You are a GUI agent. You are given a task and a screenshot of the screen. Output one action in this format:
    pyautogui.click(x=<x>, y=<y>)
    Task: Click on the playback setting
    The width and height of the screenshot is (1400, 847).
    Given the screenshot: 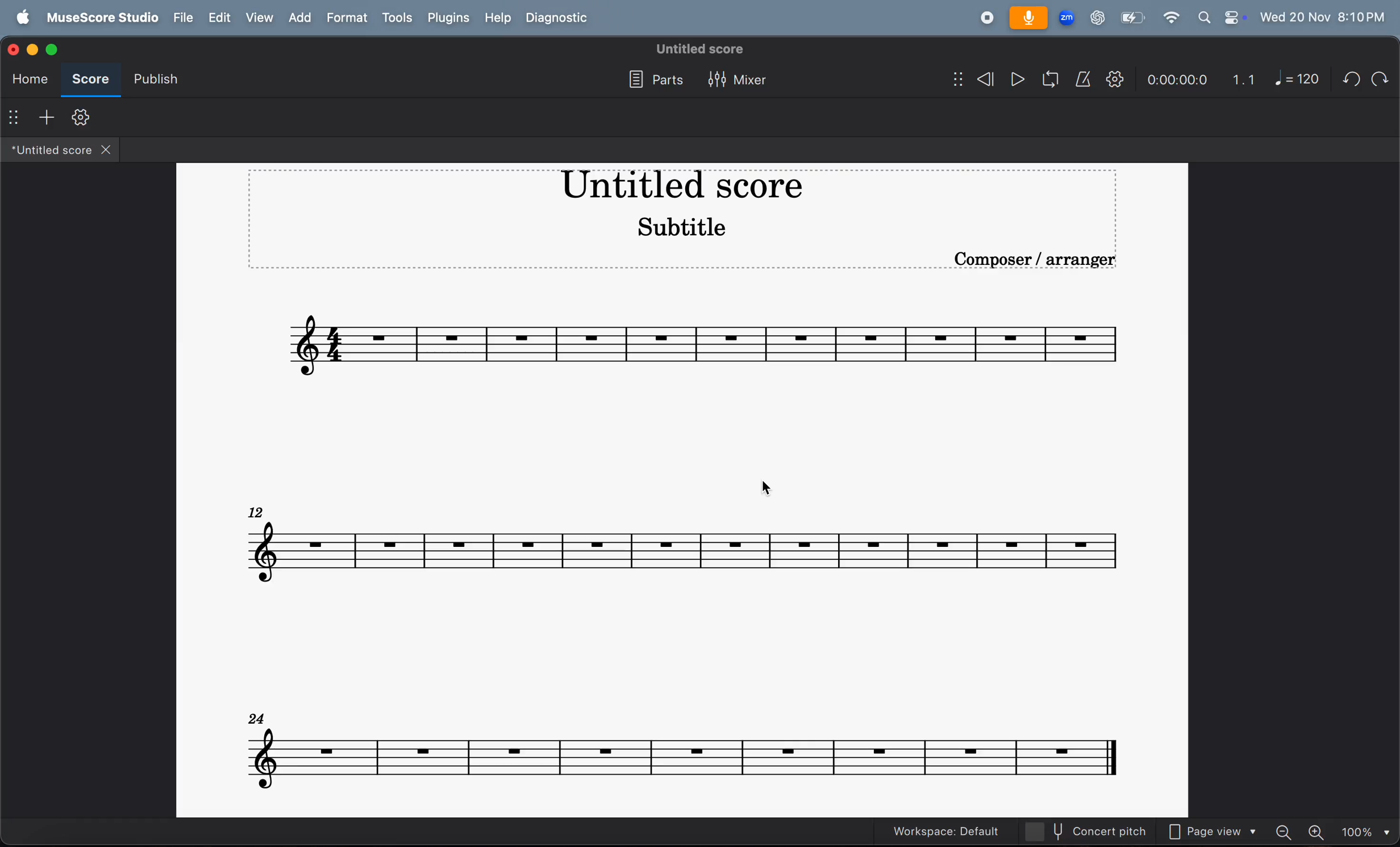 What is the action you would take?
    pyautogui.click(x=1115, y=81)
    